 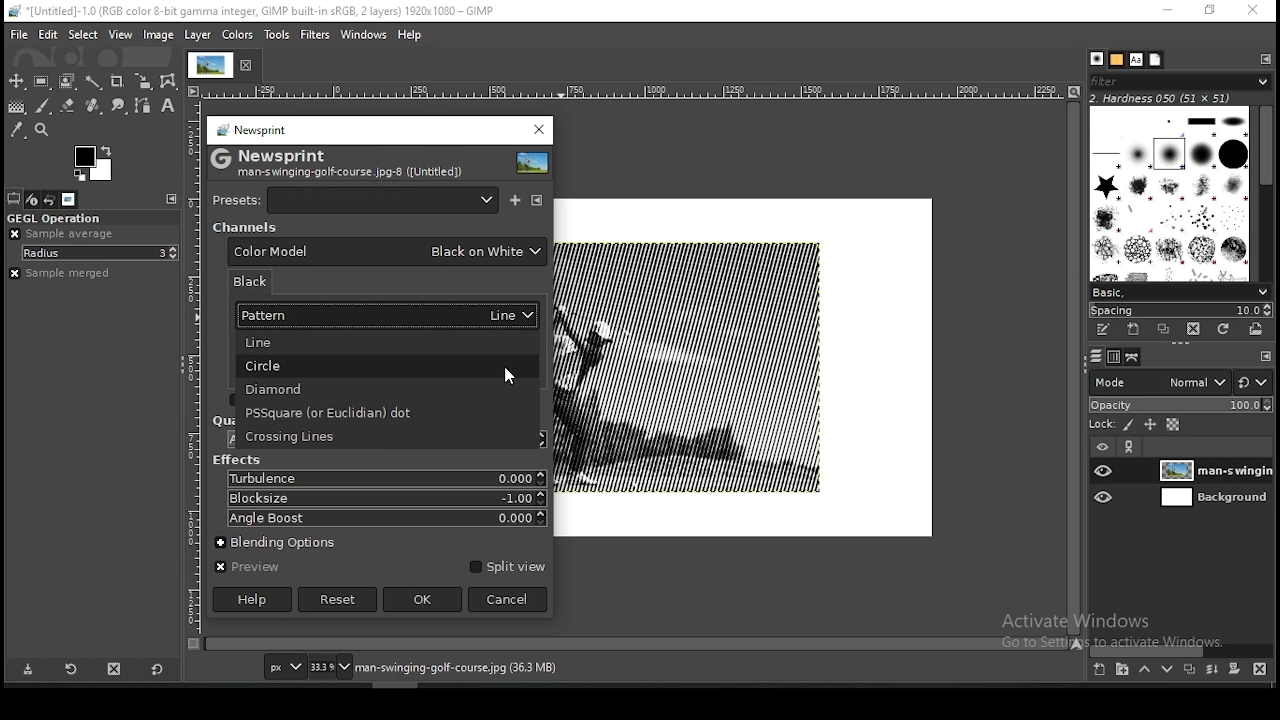 What do you see at coordinates (66, 82) in the screenshot?
I see `foreground select tool` at bounding box center [66, 82].